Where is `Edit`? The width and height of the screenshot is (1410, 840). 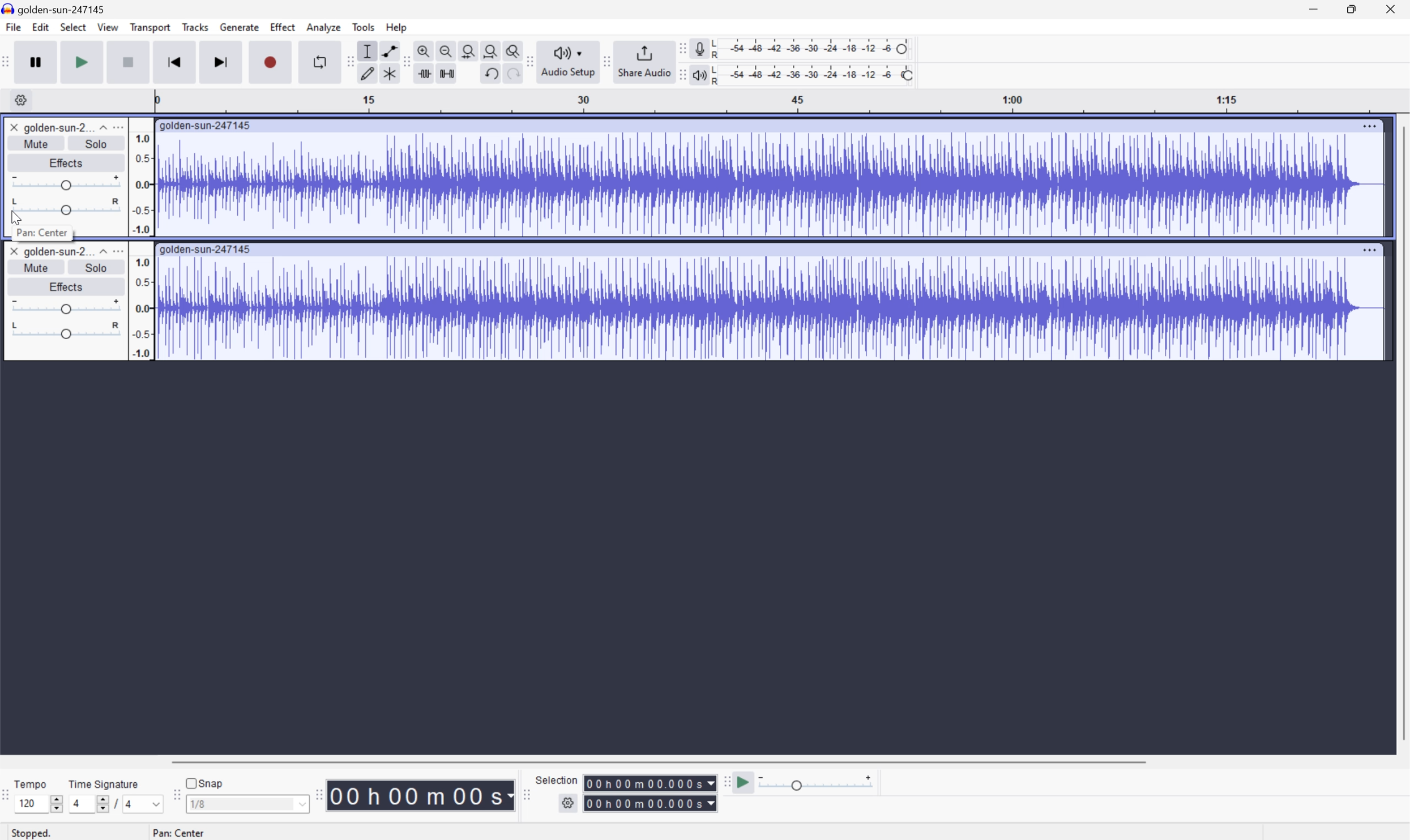
Edit is located at coordinates (41, 29).